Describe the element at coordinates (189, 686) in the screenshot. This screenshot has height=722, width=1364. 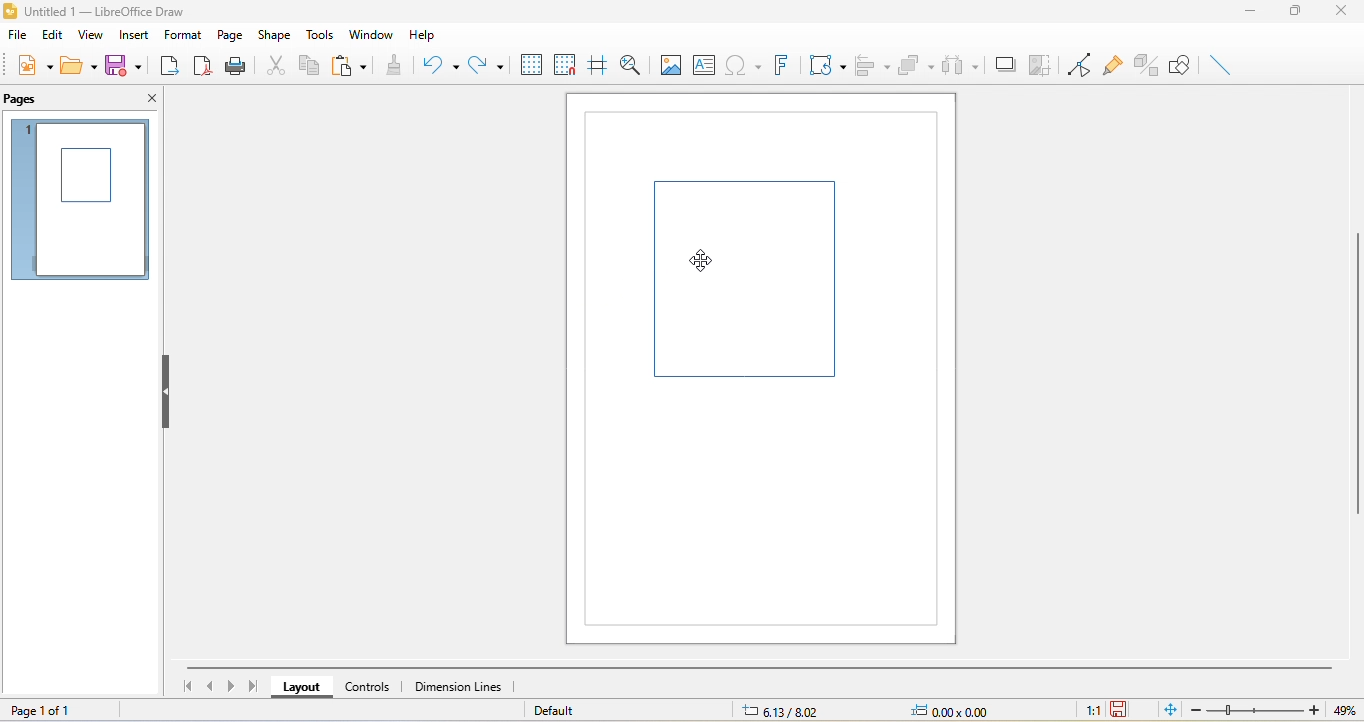
I see `first page` at that location.